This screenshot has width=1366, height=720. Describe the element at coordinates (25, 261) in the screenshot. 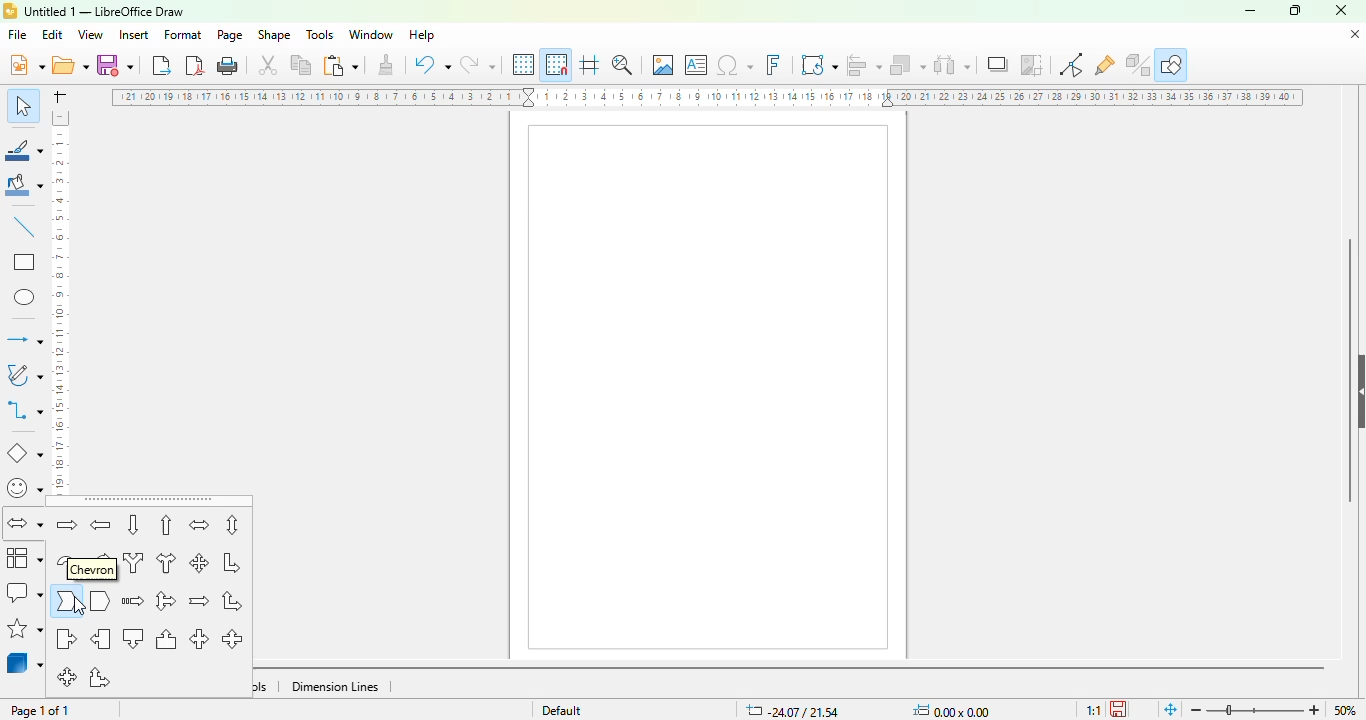

I see `rectangle` at that location.